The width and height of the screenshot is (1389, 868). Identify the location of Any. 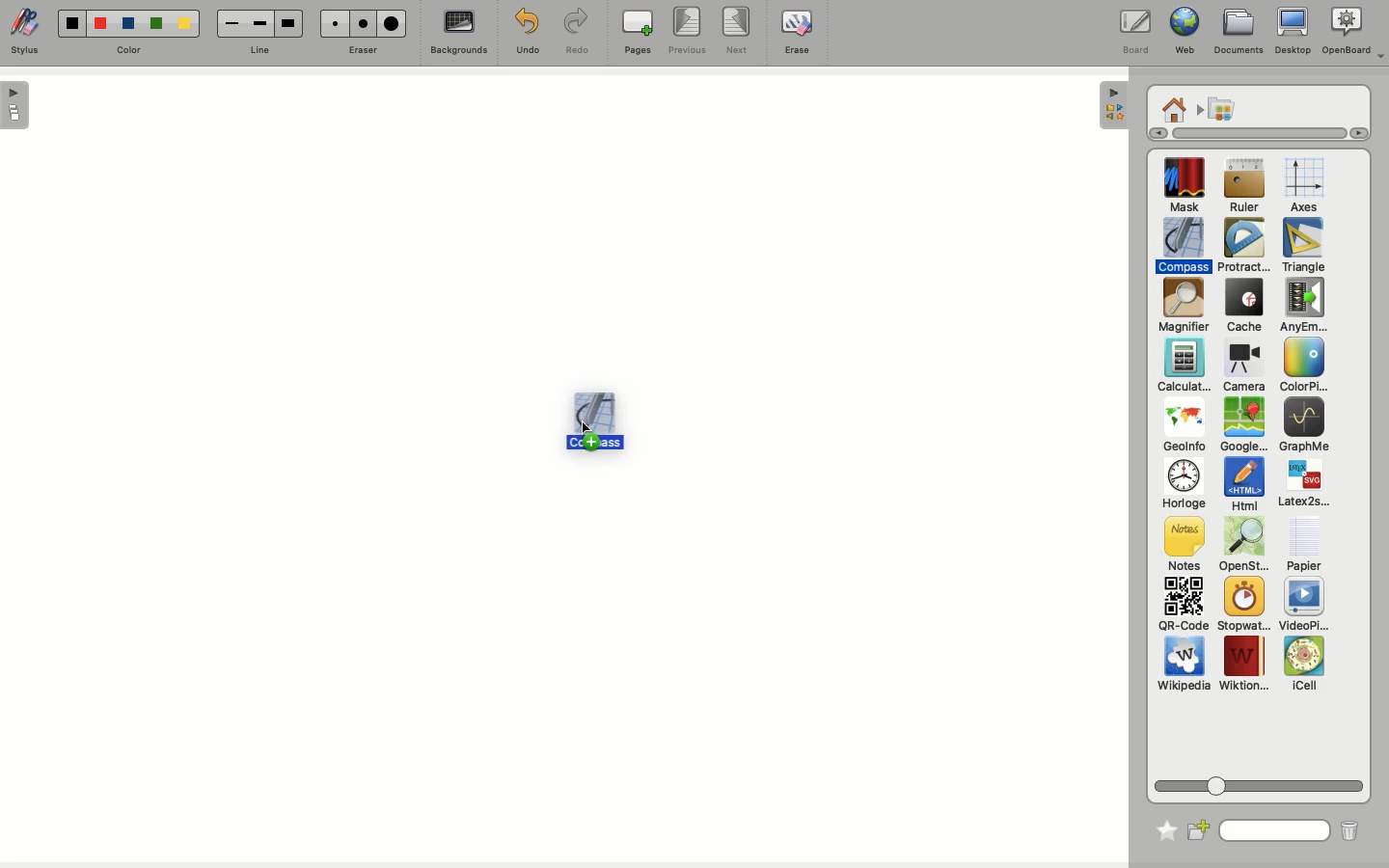
(1303, 306).